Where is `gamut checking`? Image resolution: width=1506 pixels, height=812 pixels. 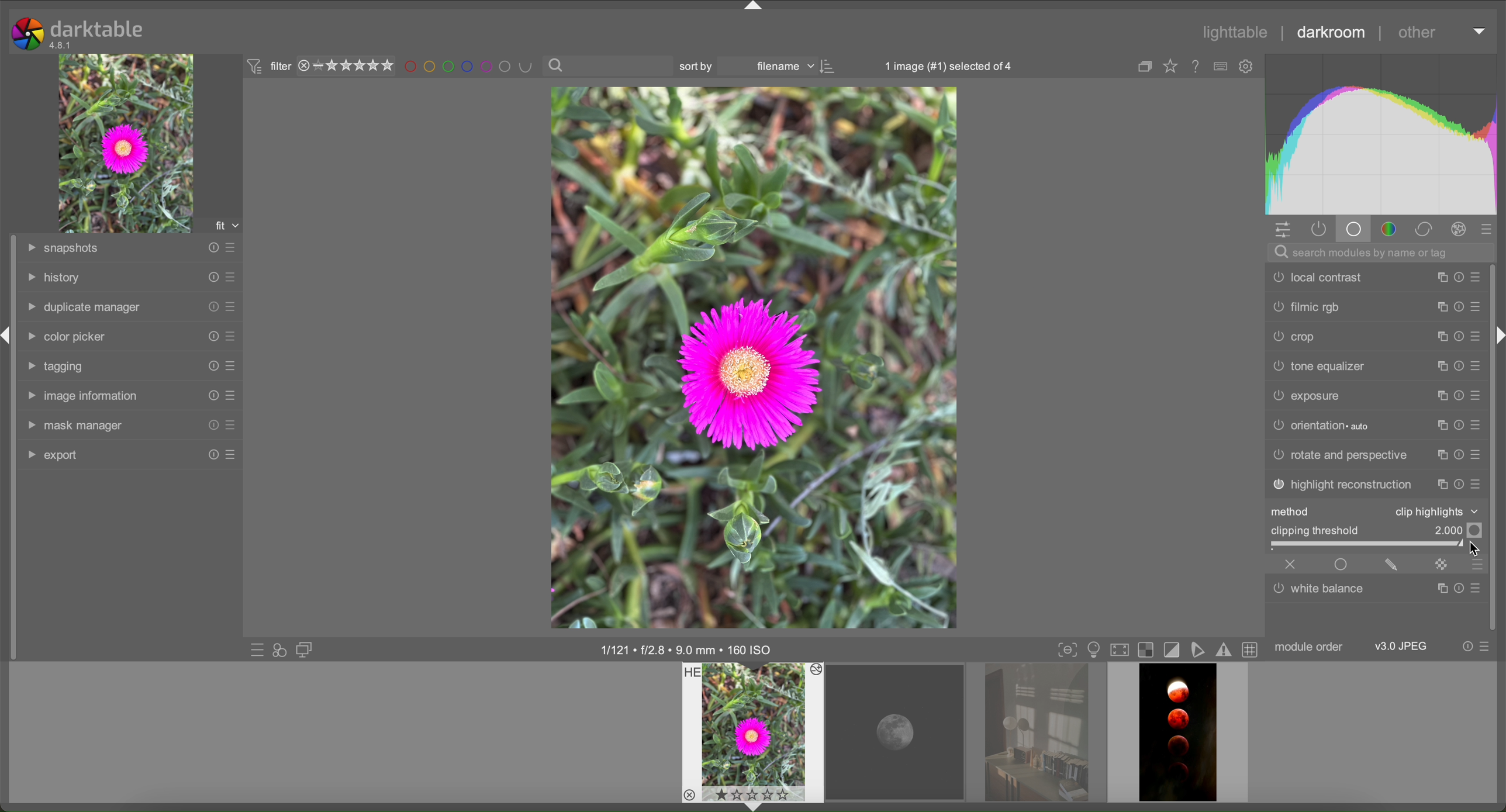 gamut checking is located at coordinates (1226, 652).